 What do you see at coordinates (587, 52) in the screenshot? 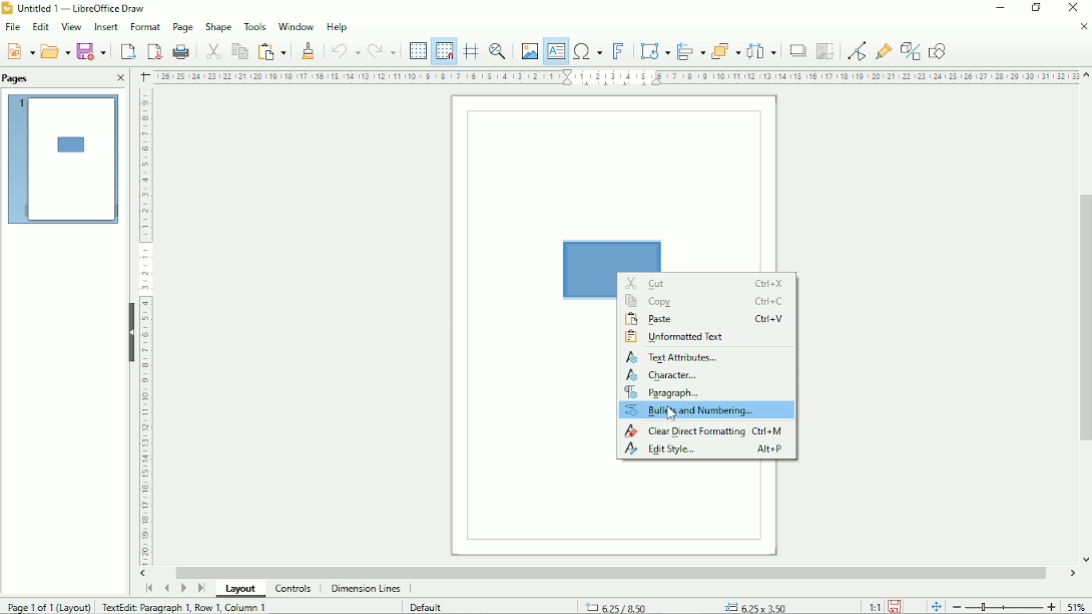
I see `Insert special characters` at bounding box center [587, 52].